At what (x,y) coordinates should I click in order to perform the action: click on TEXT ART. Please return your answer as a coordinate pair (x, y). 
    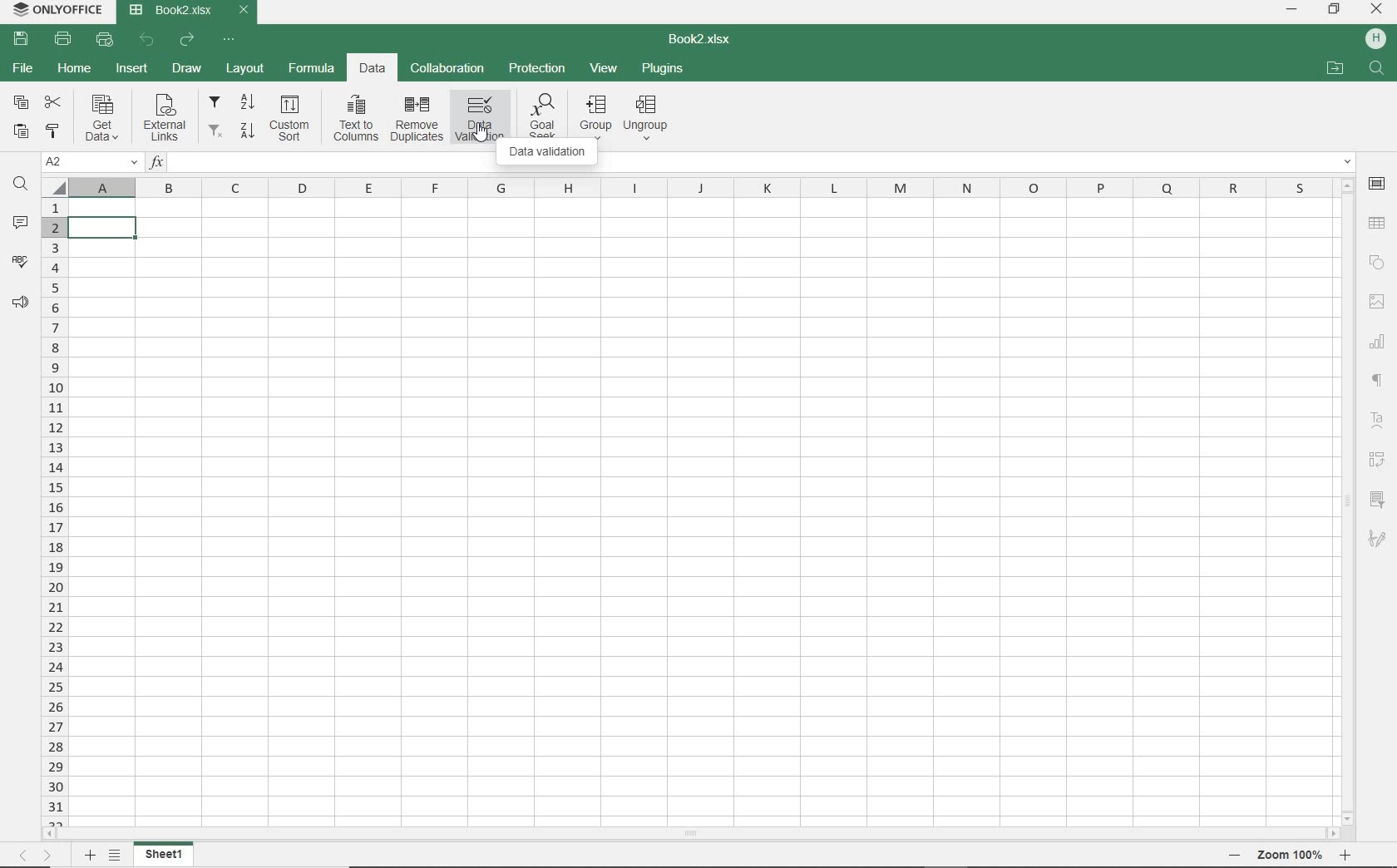
    Looking at the image, I should click on (1378, 422).